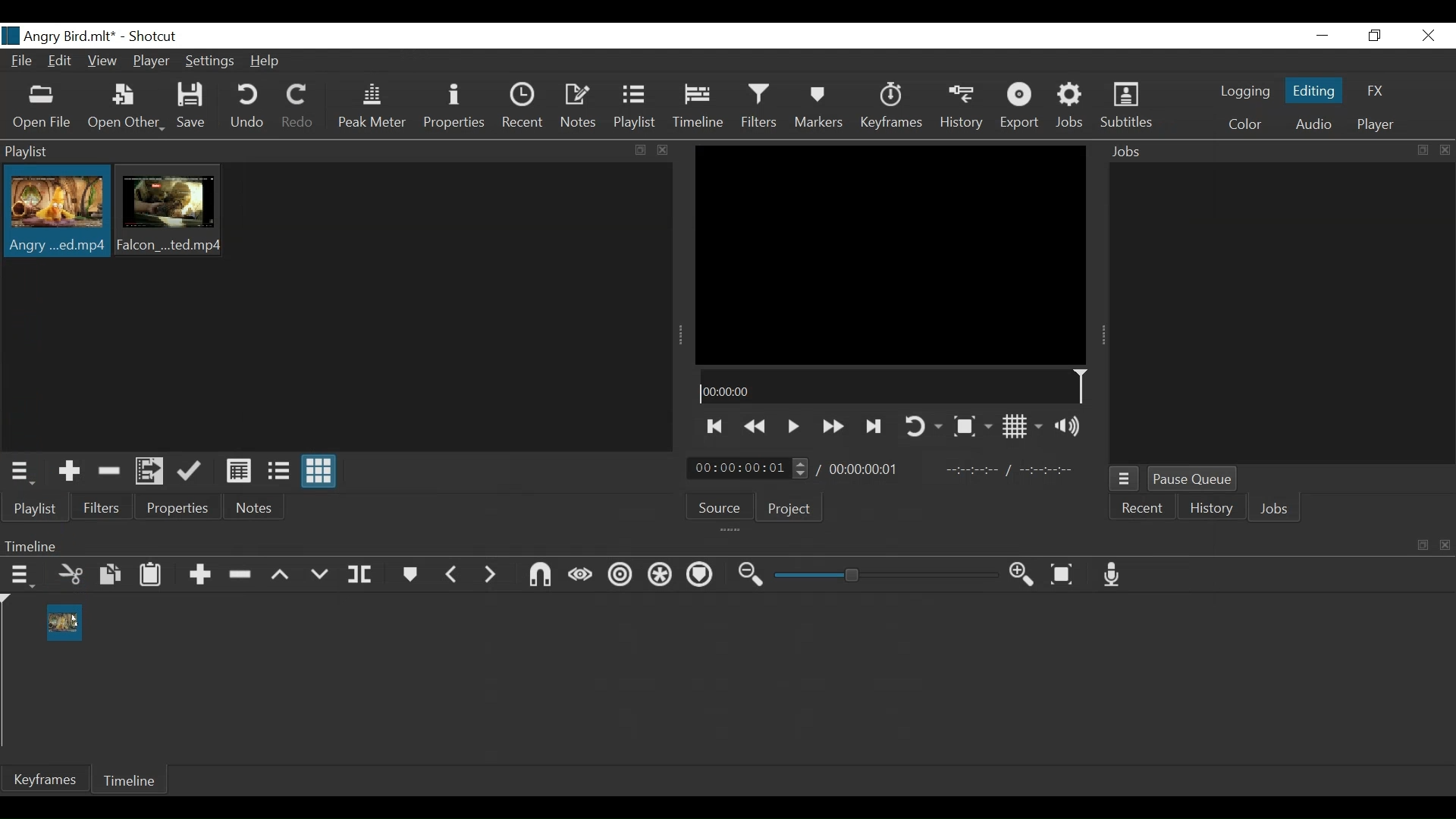 The image size is (1456, 819). Describe the element at coordinates (835, 425) in the screenshot. I see `Toggle play forward quickly` at that location.